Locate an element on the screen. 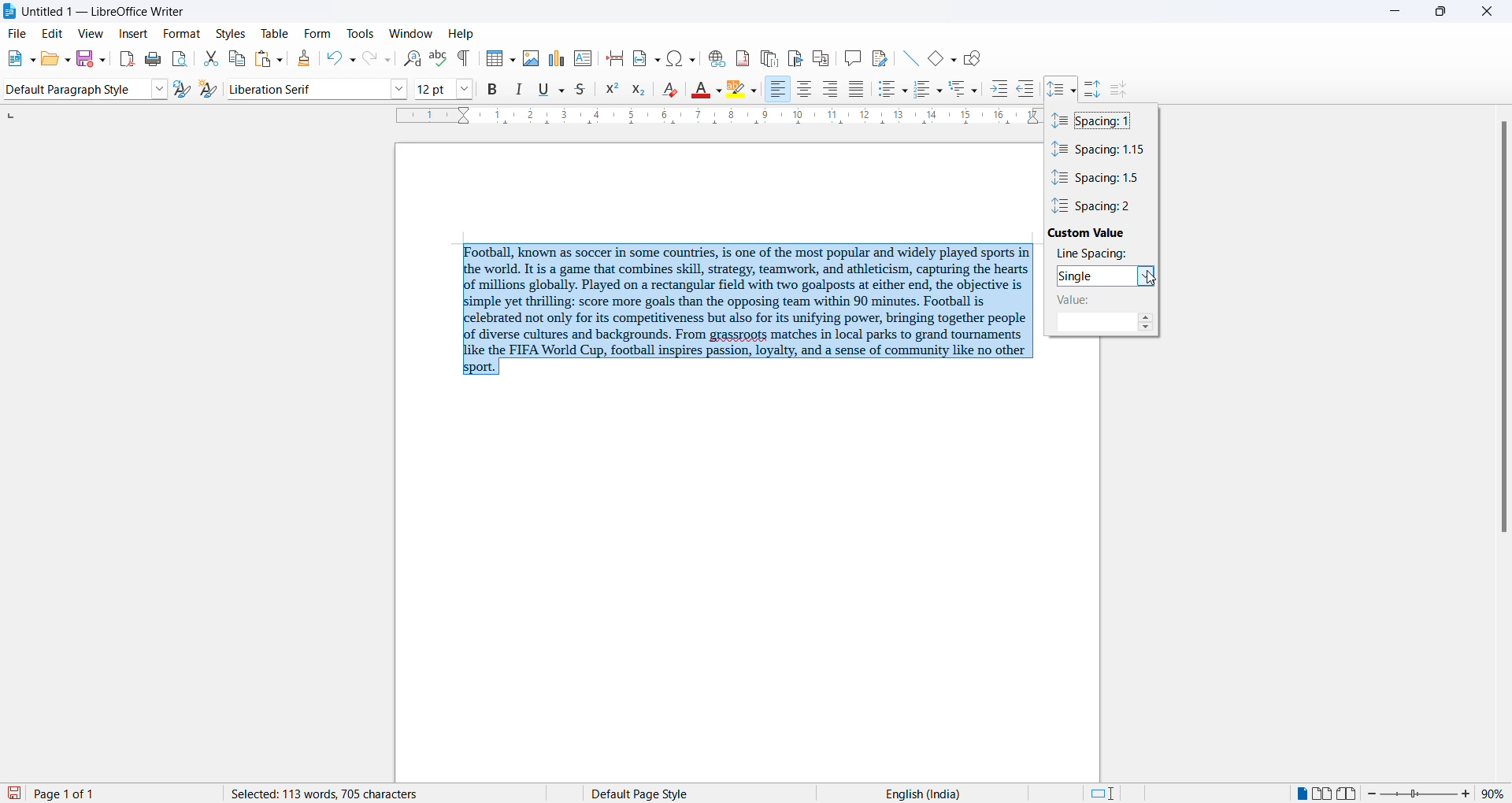 This screenshot has width=1512, height=803. window is located at coordinates (408, 32).